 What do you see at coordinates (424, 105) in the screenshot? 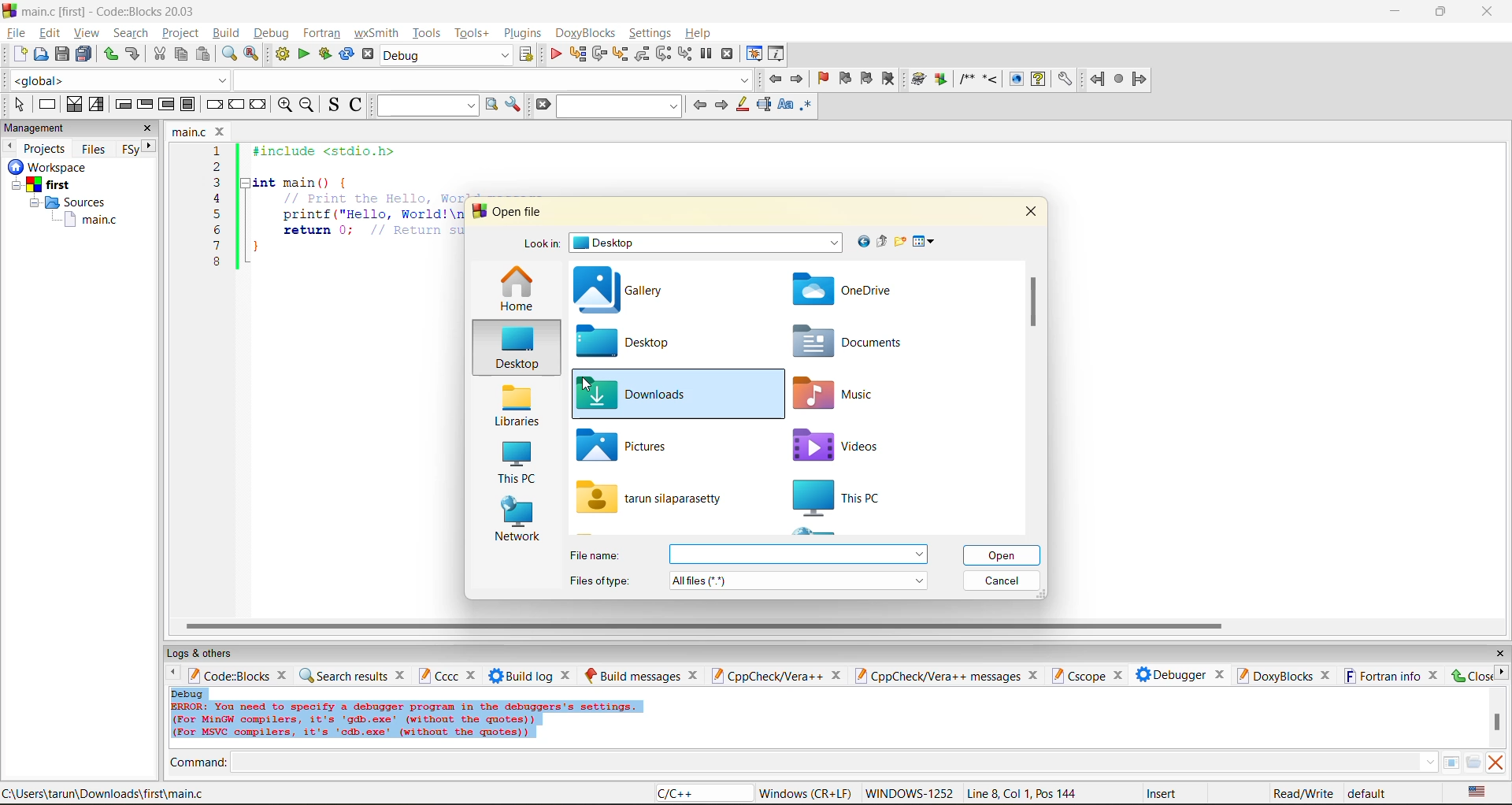
I see `text to search` at bounding box center [424, 105].